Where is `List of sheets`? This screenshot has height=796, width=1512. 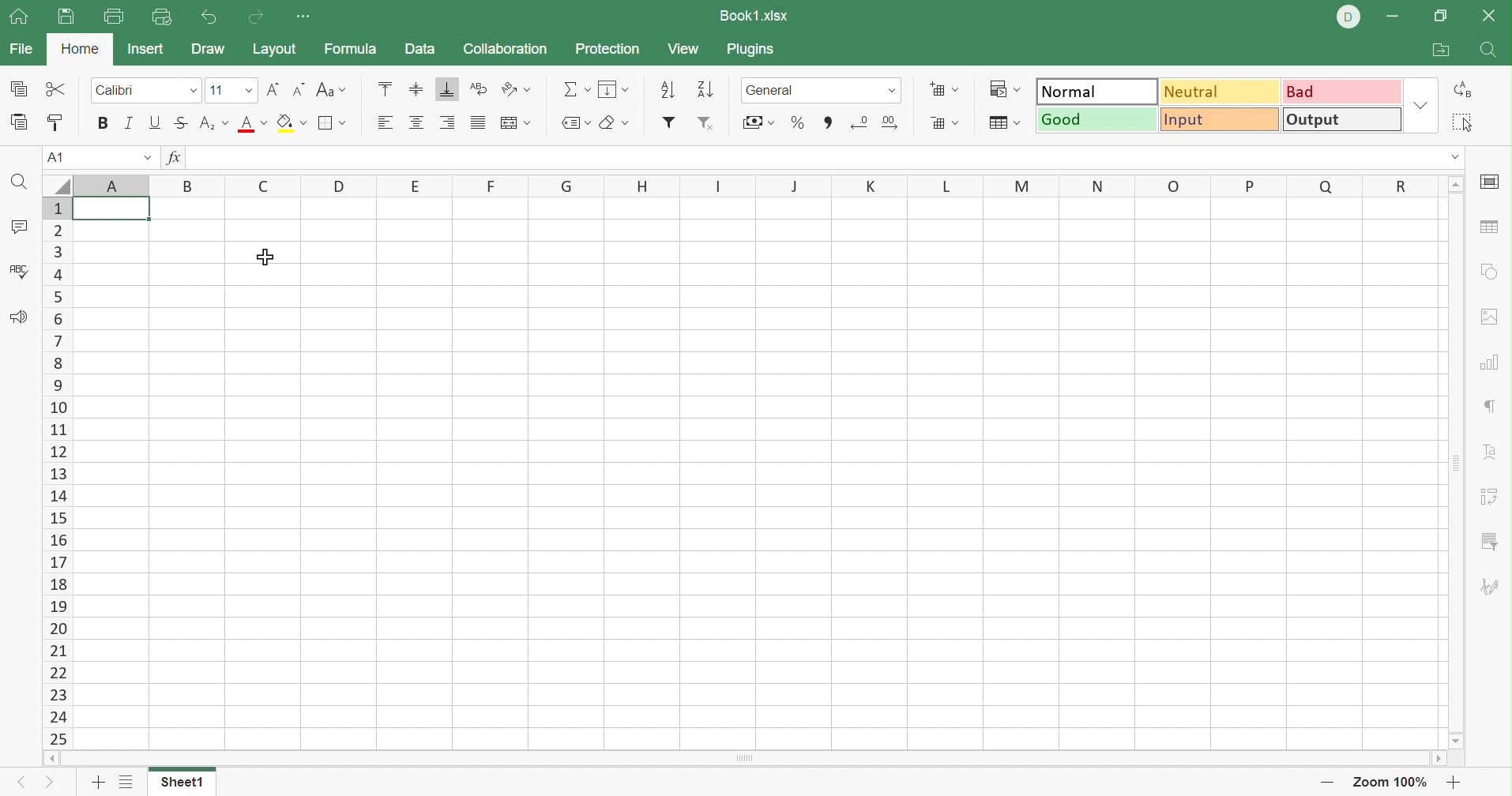
List of sheets is located at coordinates (128, 782).